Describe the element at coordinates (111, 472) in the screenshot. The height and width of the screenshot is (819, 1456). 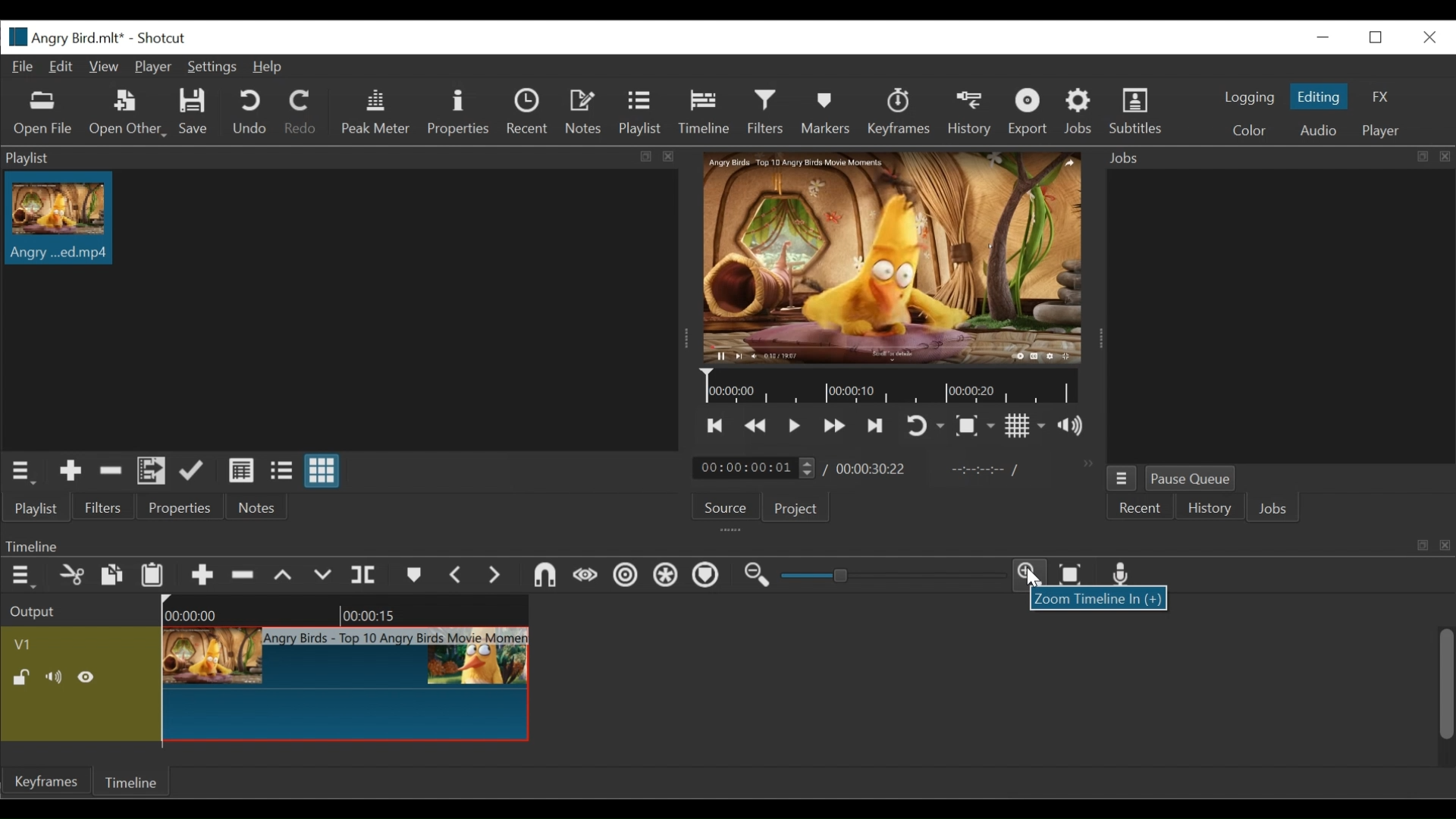
I see `Remove cut` at that location.